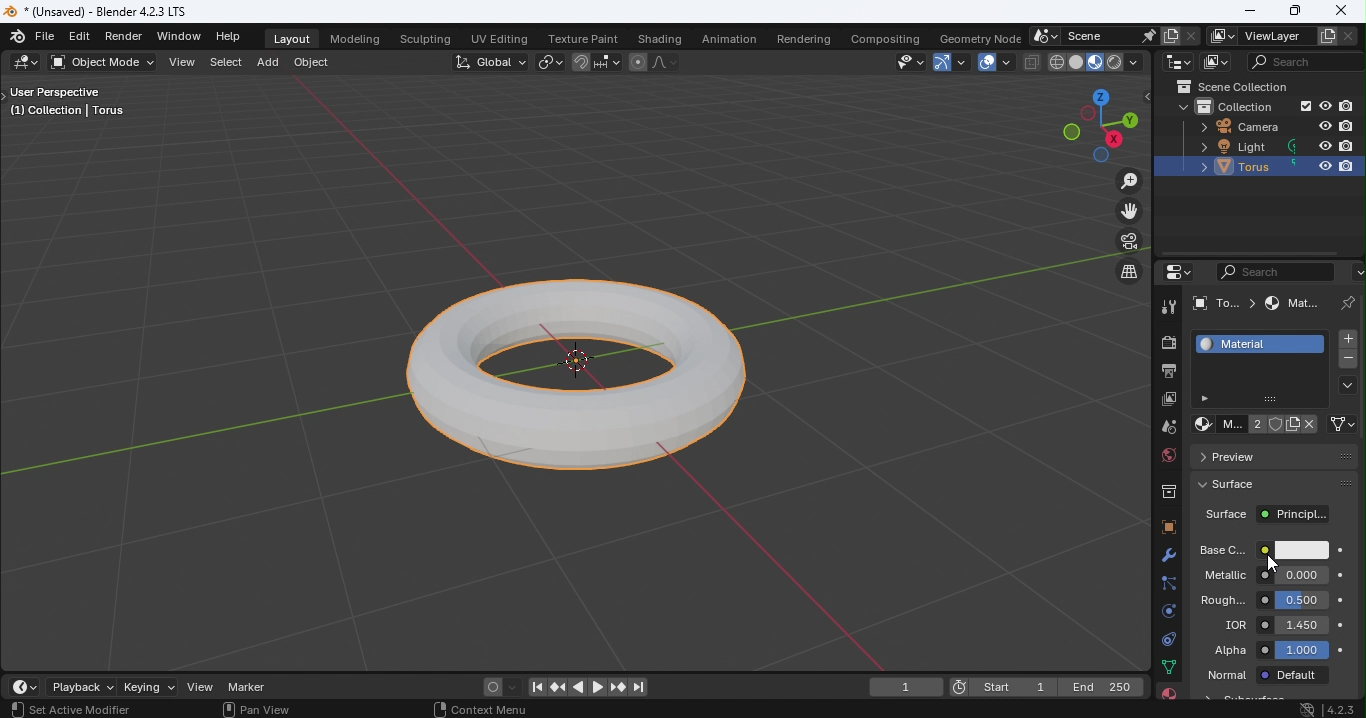 Image resolution: width=1366 pixels, height=718 pixels. I want to click on Object, so click(312, 63).